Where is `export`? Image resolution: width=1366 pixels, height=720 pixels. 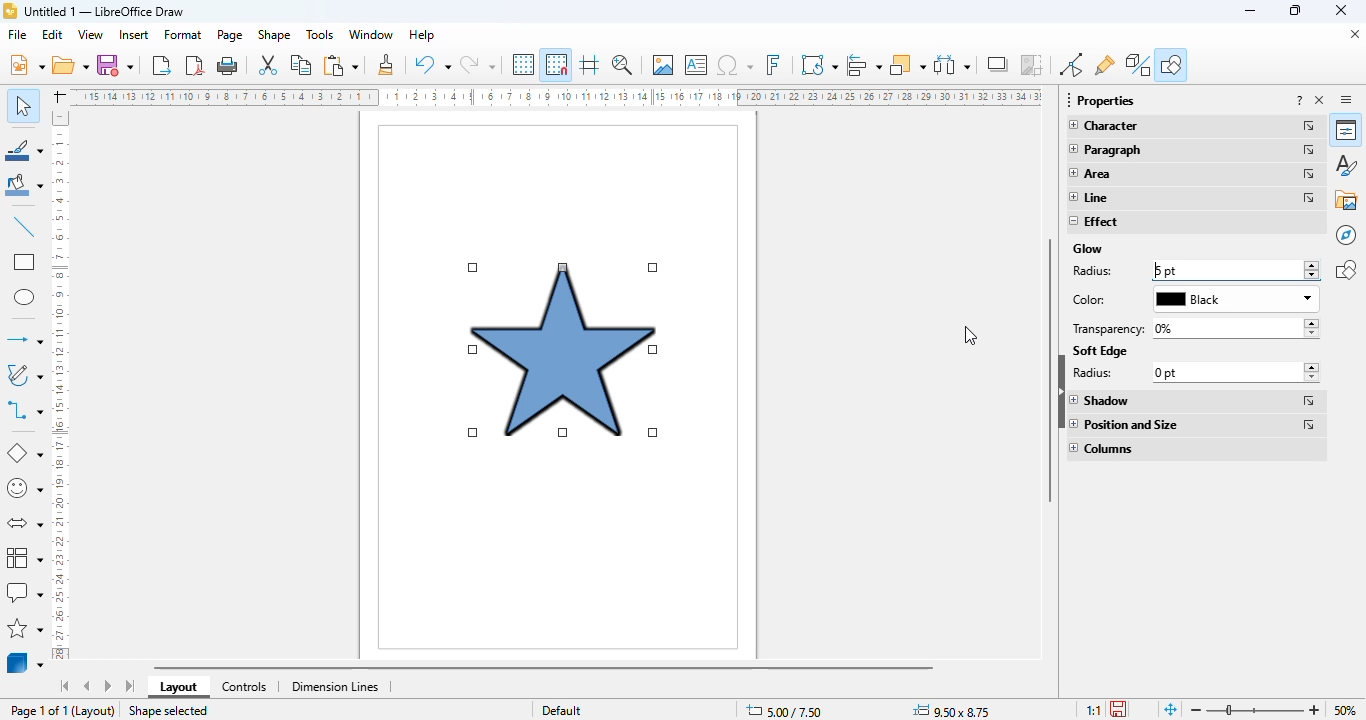
export is located at coordinates (163, 66).